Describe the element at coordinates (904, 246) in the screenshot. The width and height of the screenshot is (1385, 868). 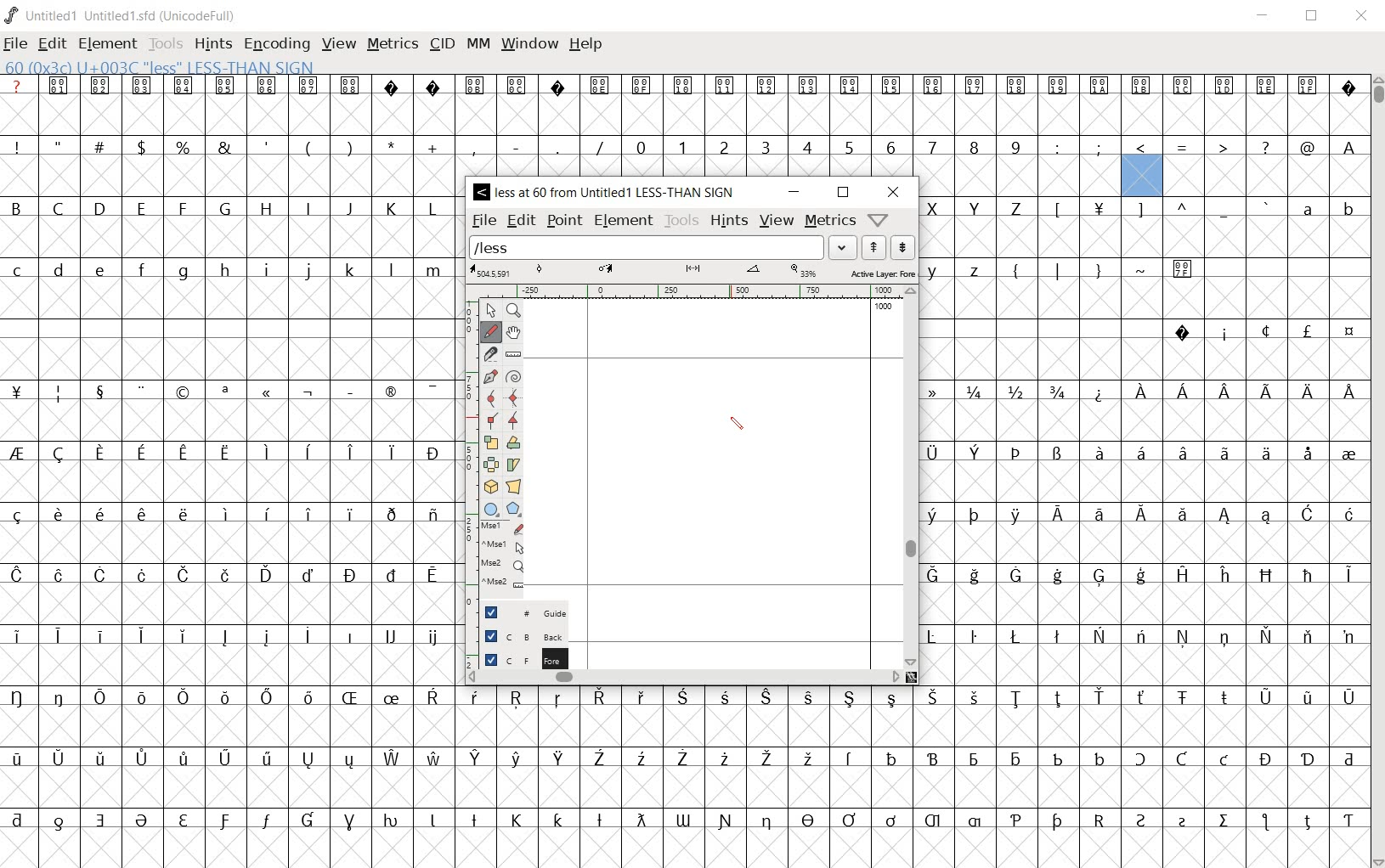
I see `show the previous word on the list` at that location.